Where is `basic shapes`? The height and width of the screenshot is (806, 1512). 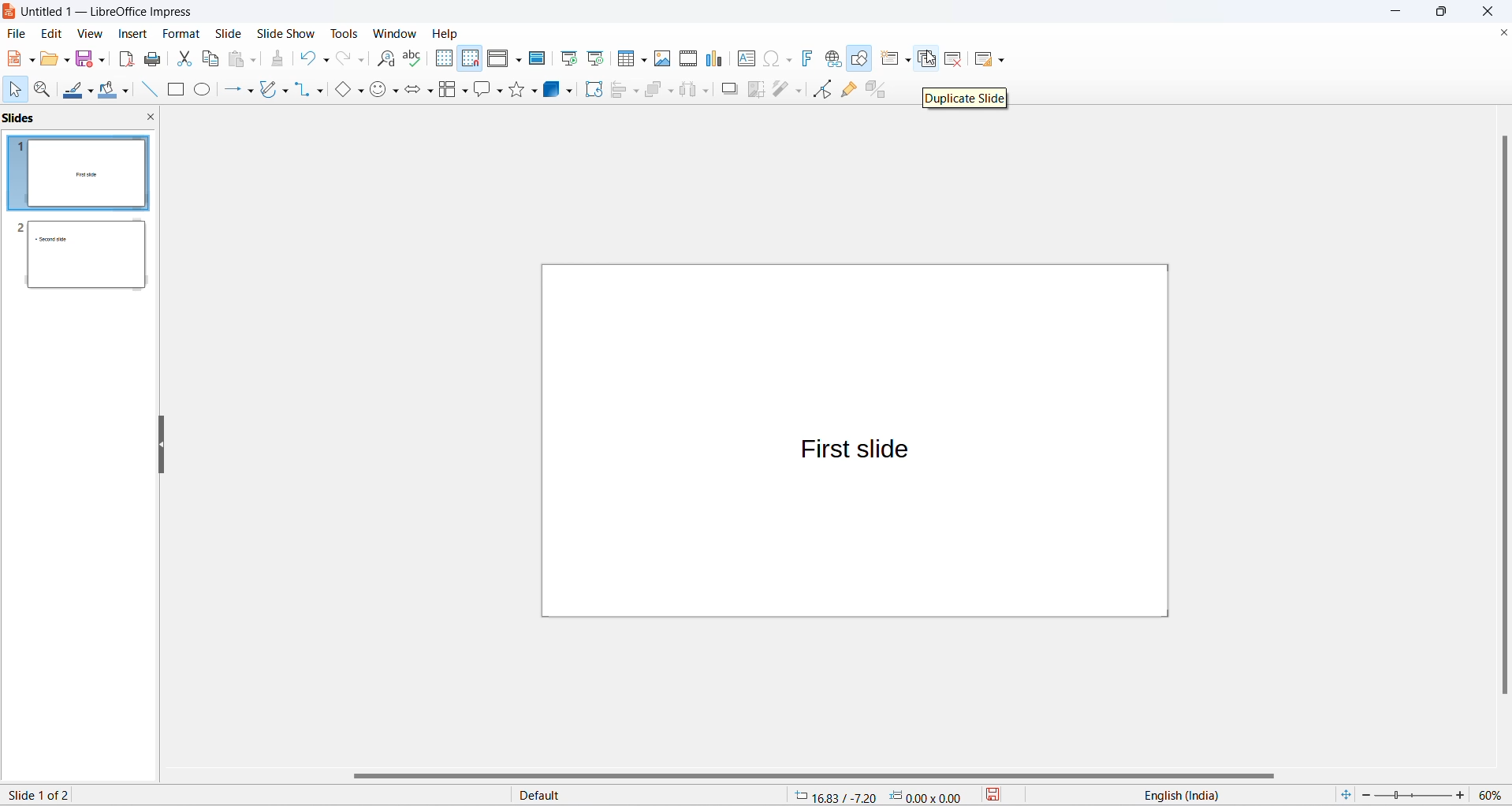 basic shapes is located at coordinates (341, 91).